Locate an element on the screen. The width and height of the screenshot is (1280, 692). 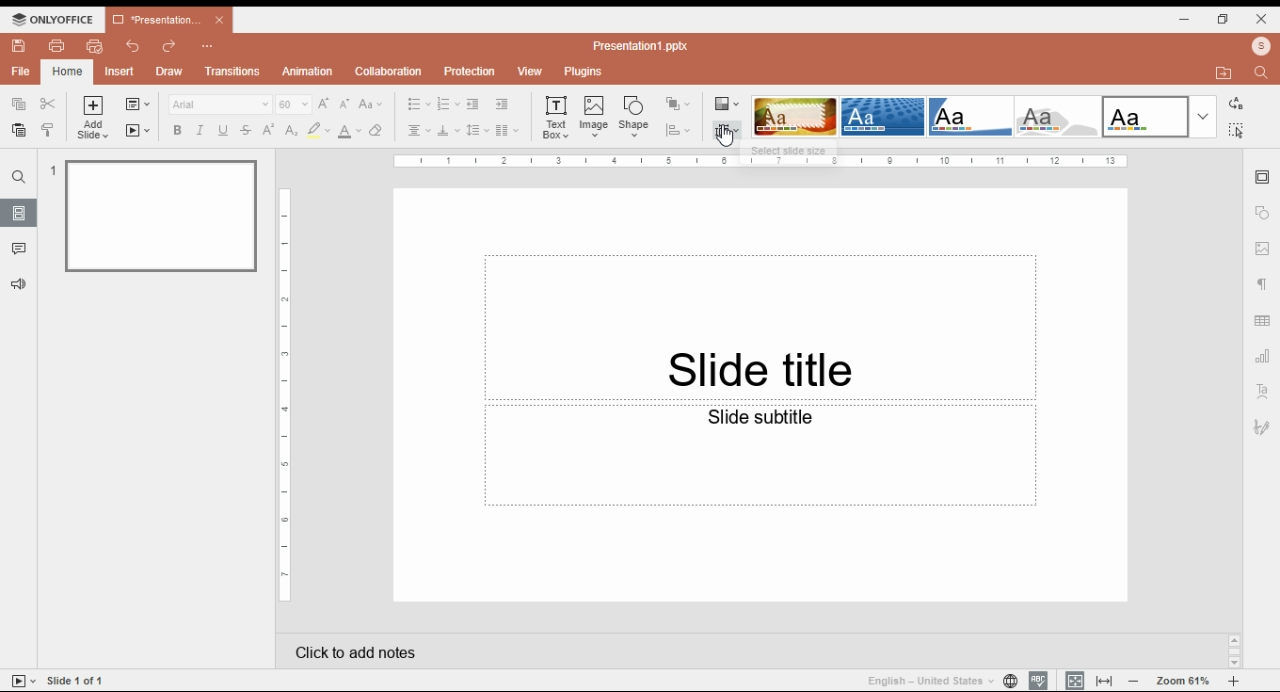
quick print  is located at coordinates (95, 46).